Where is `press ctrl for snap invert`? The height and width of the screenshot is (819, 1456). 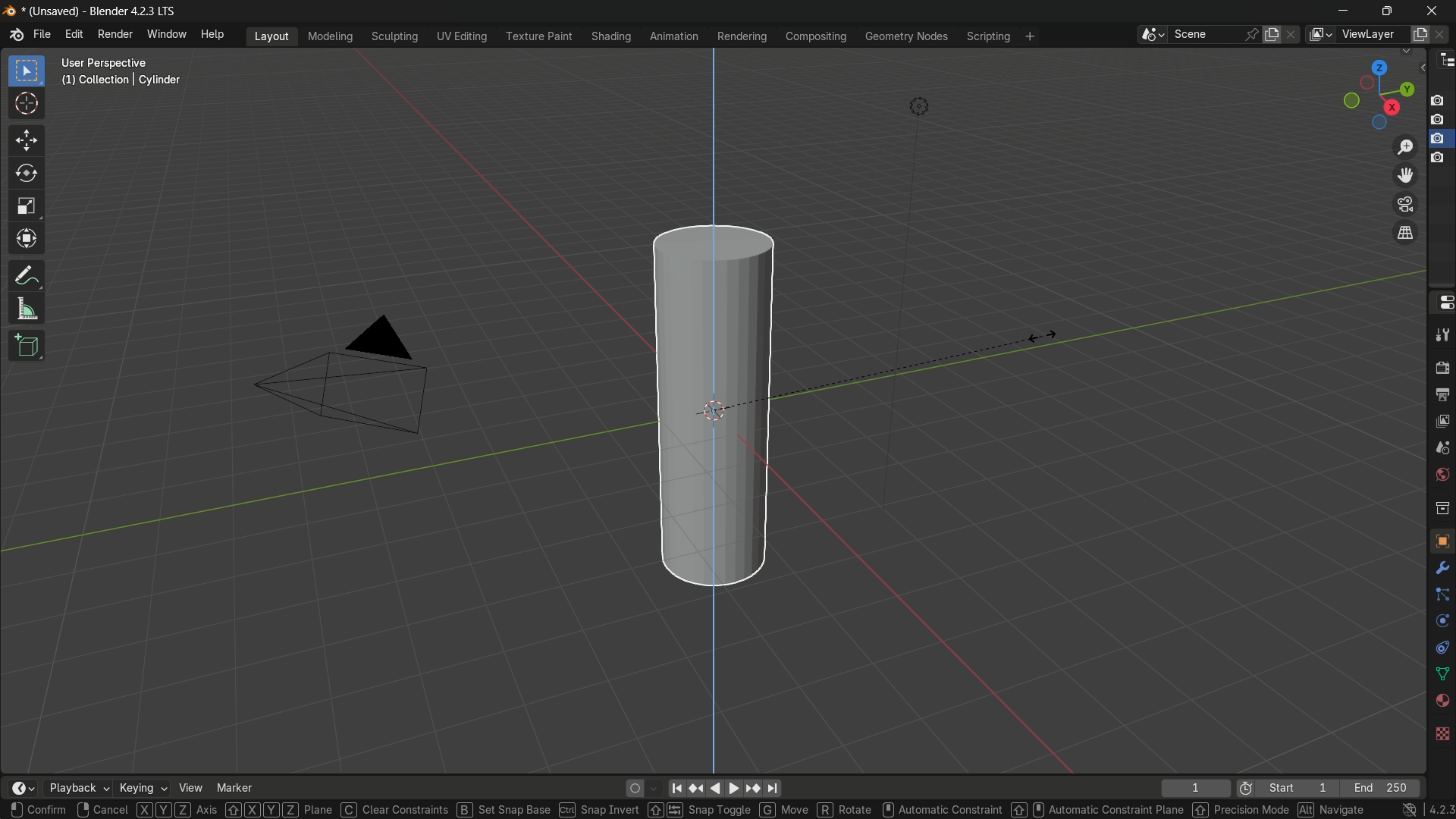 press ctrl for snap invert is located at coordinates (598, 810).